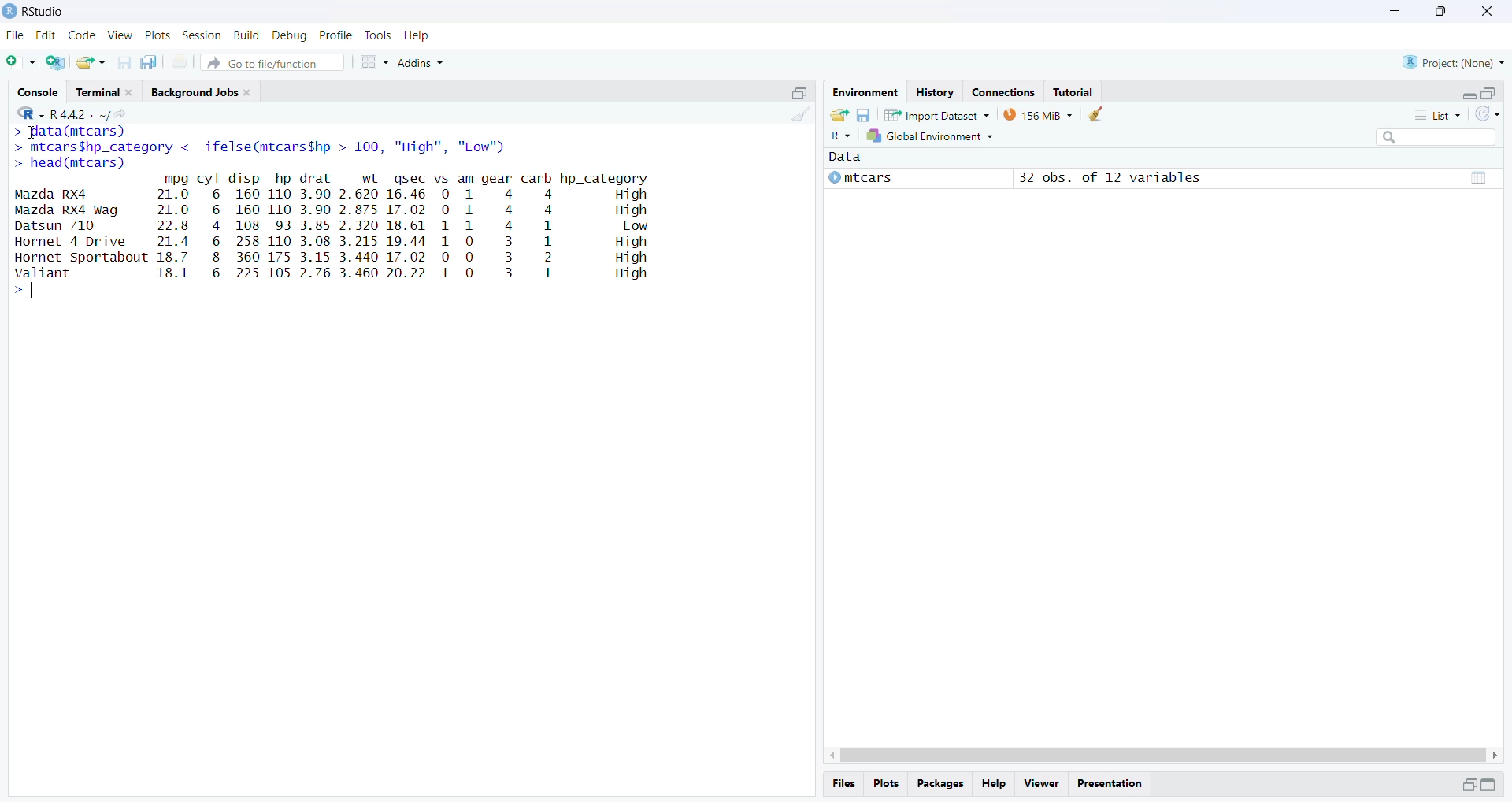  Describe the element at coordinates (933, 138) in the screenshot. I see `Global Environment` at that location.